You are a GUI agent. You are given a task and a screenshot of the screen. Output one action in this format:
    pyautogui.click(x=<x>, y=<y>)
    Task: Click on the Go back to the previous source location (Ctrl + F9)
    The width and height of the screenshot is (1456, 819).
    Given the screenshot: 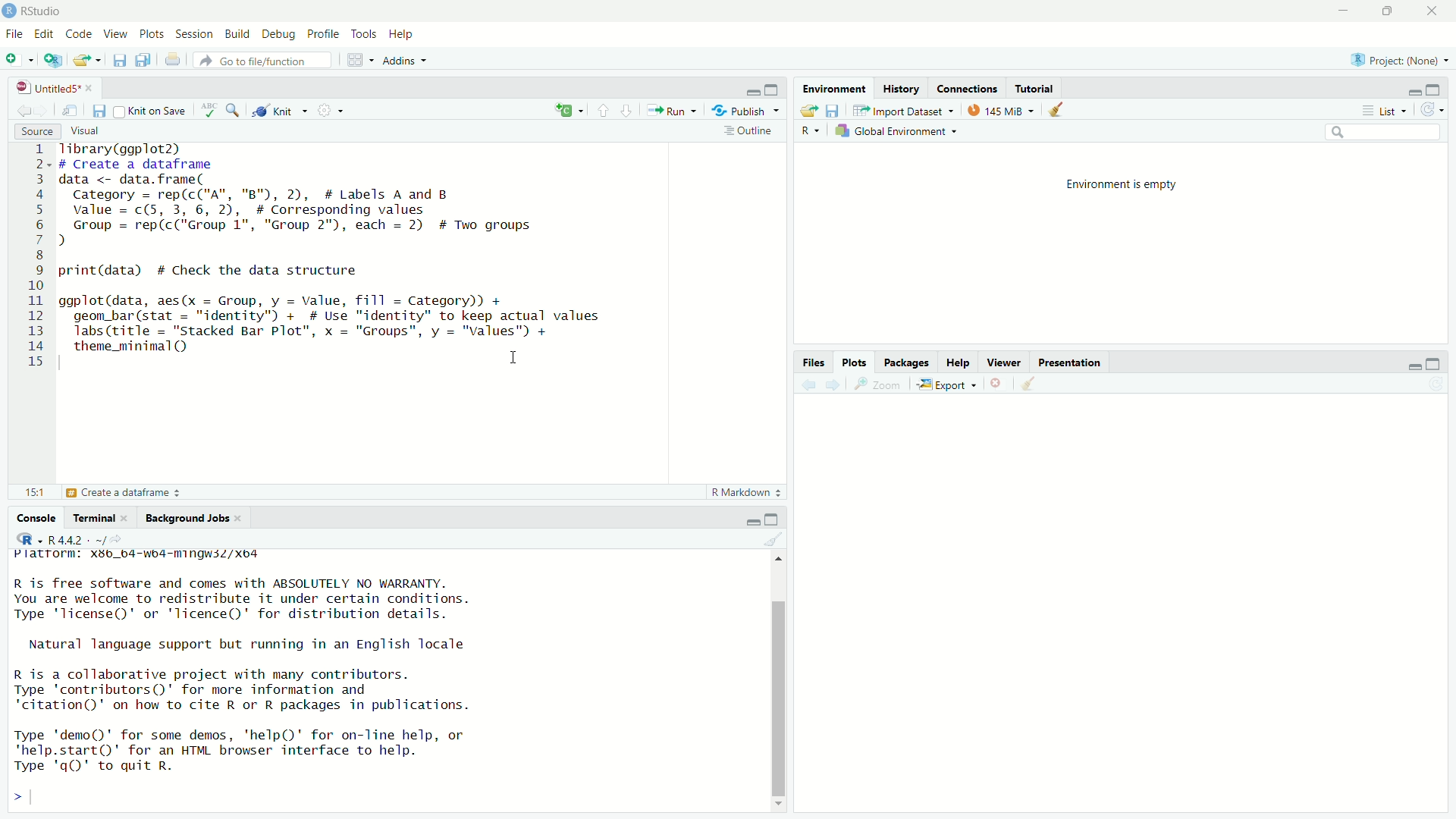 What is the action you would take?
    pyautogui.click(x=19, y=108)
    